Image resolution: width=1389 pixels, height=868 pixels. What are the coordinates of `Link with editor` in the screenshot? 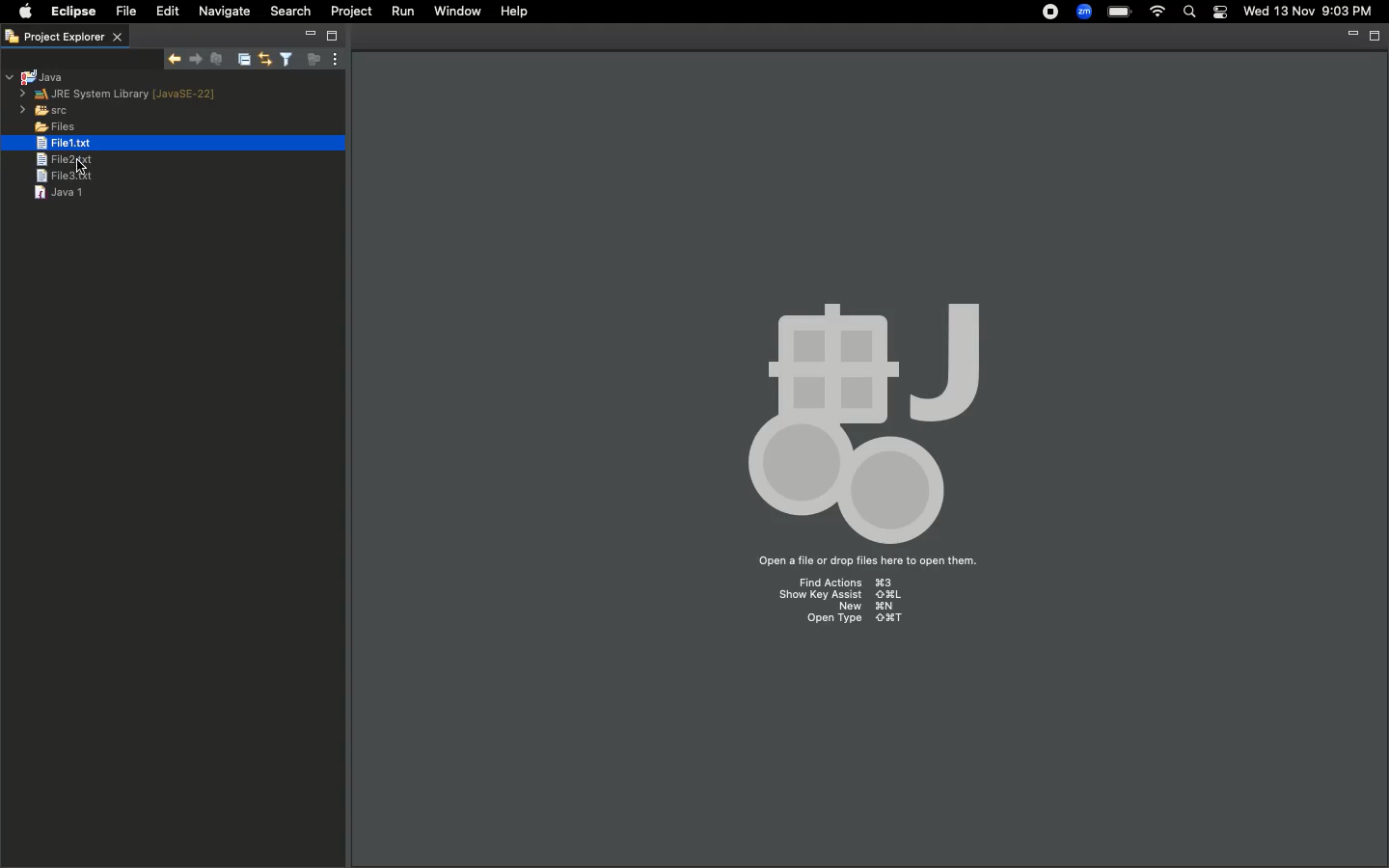 It's located at (263, 60).